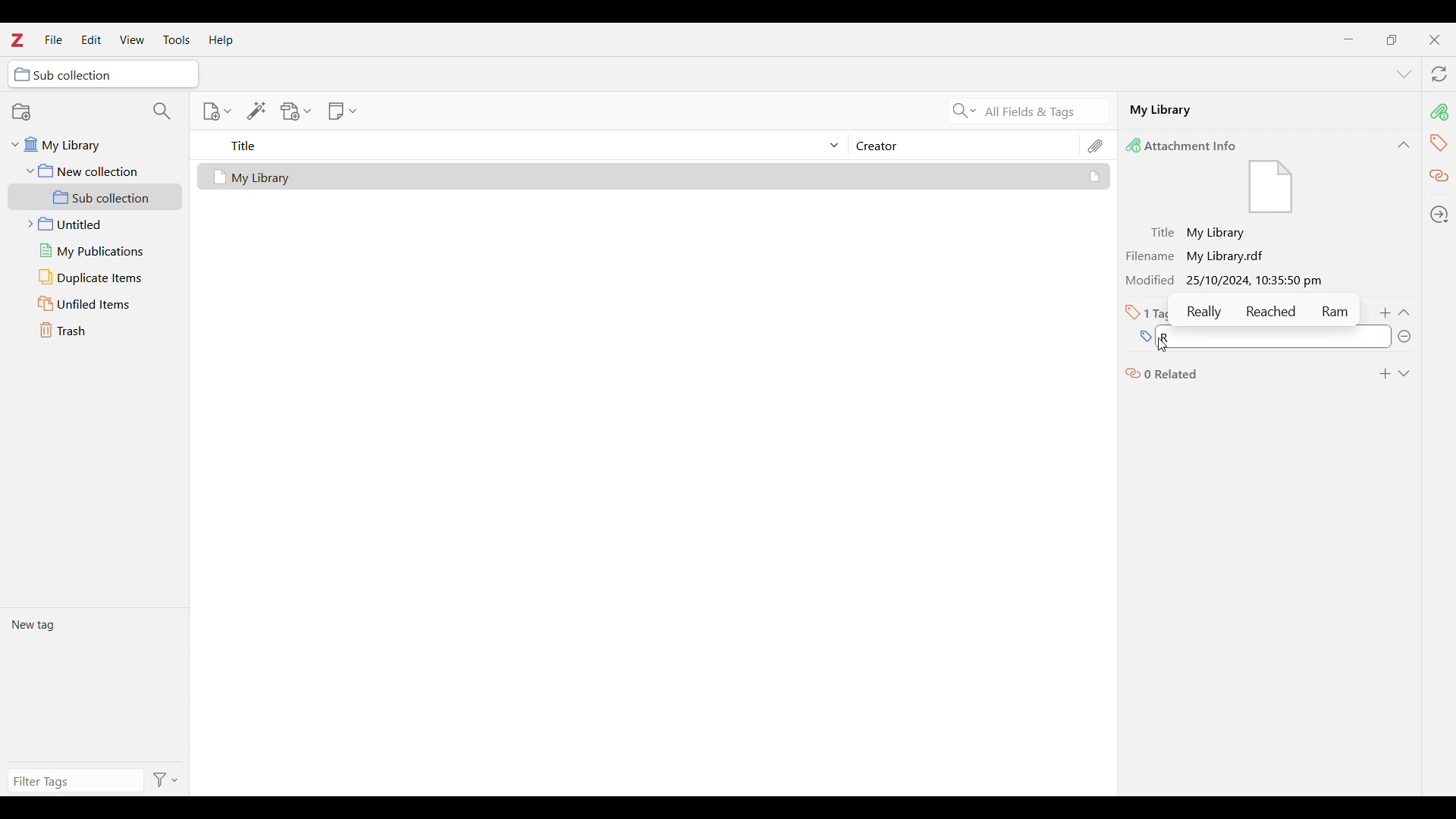 The width and height of the screenshot is (1456, 819). I want to click on All fields and tags search criteria selected, so click(1043, 112).